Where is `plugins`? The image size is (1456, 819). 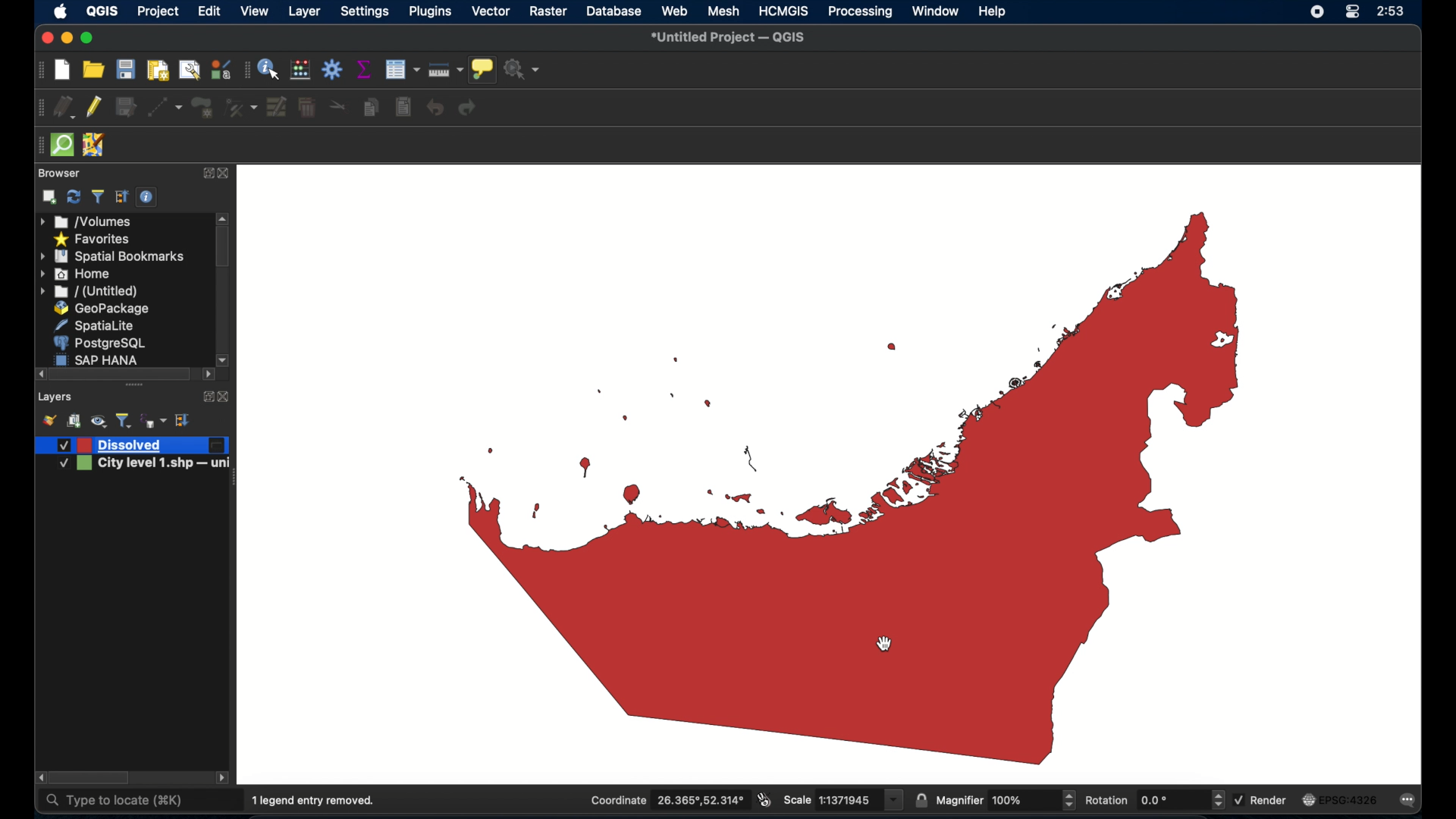
plugins is located at coordinates (430, 12).